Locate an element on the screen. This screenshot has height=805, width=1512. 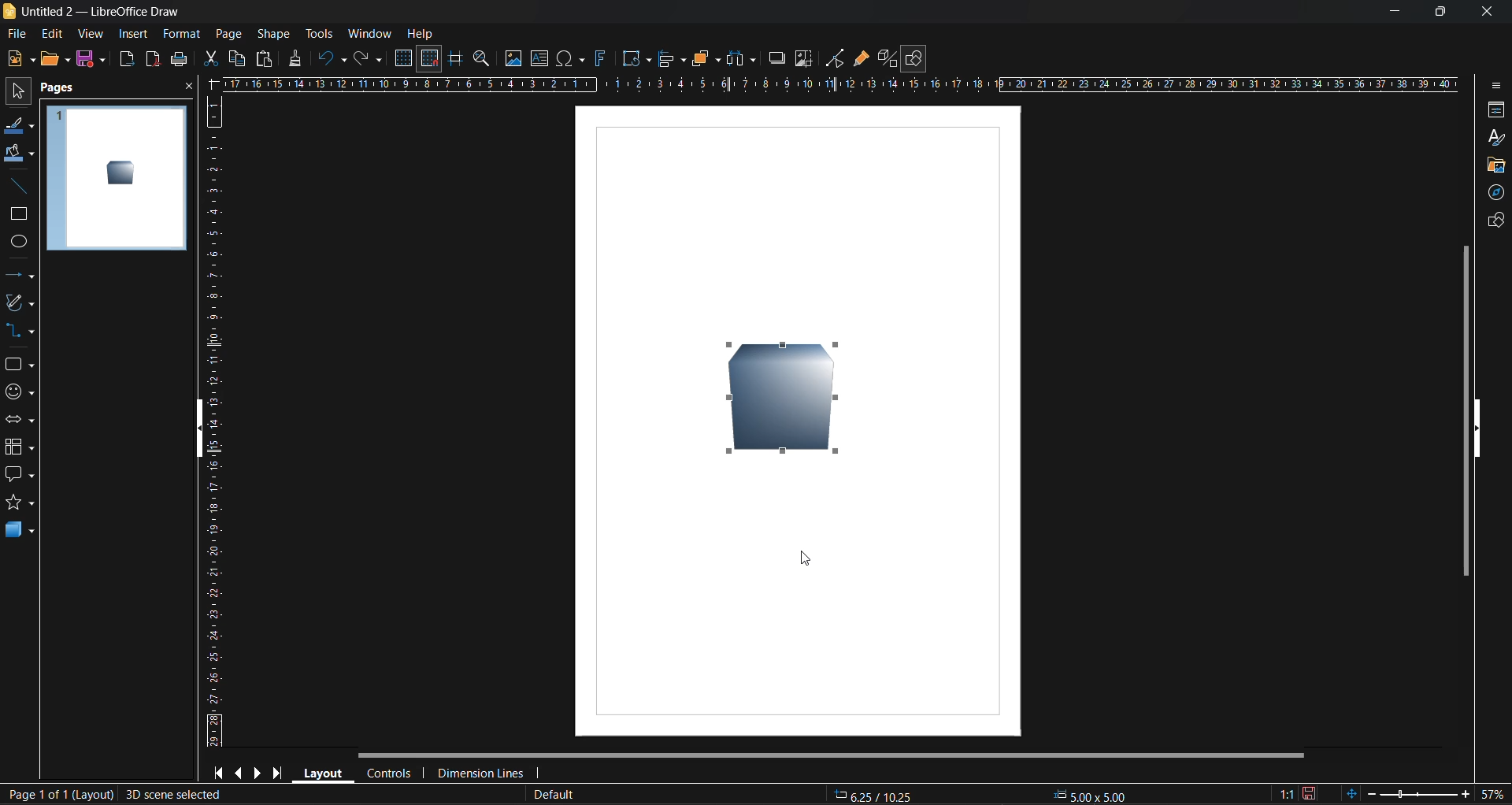
navigator is located at coordinates (1498, 195).